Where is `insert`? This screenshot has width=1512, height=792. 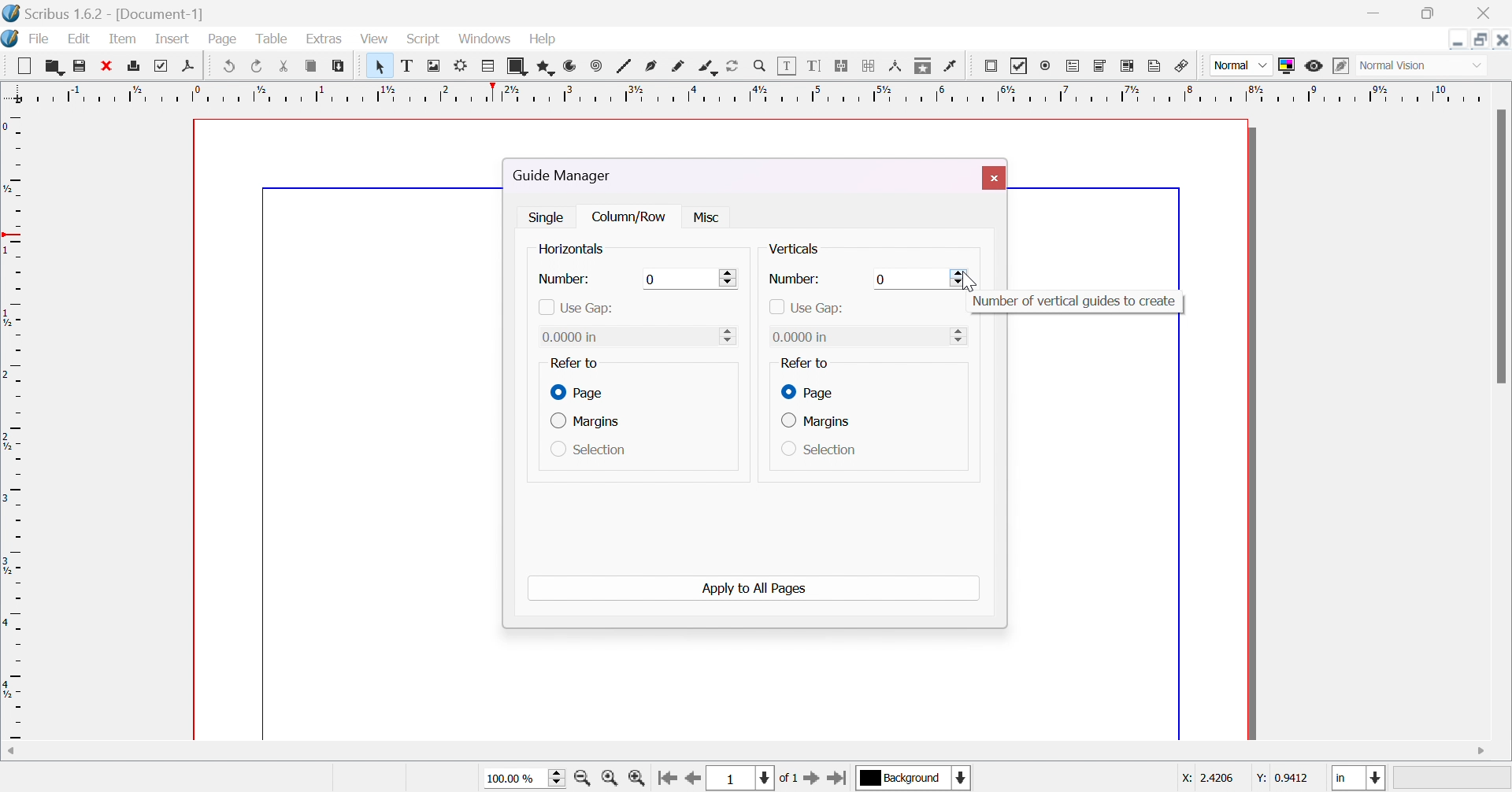
insert is located at coordinates (169, 38).